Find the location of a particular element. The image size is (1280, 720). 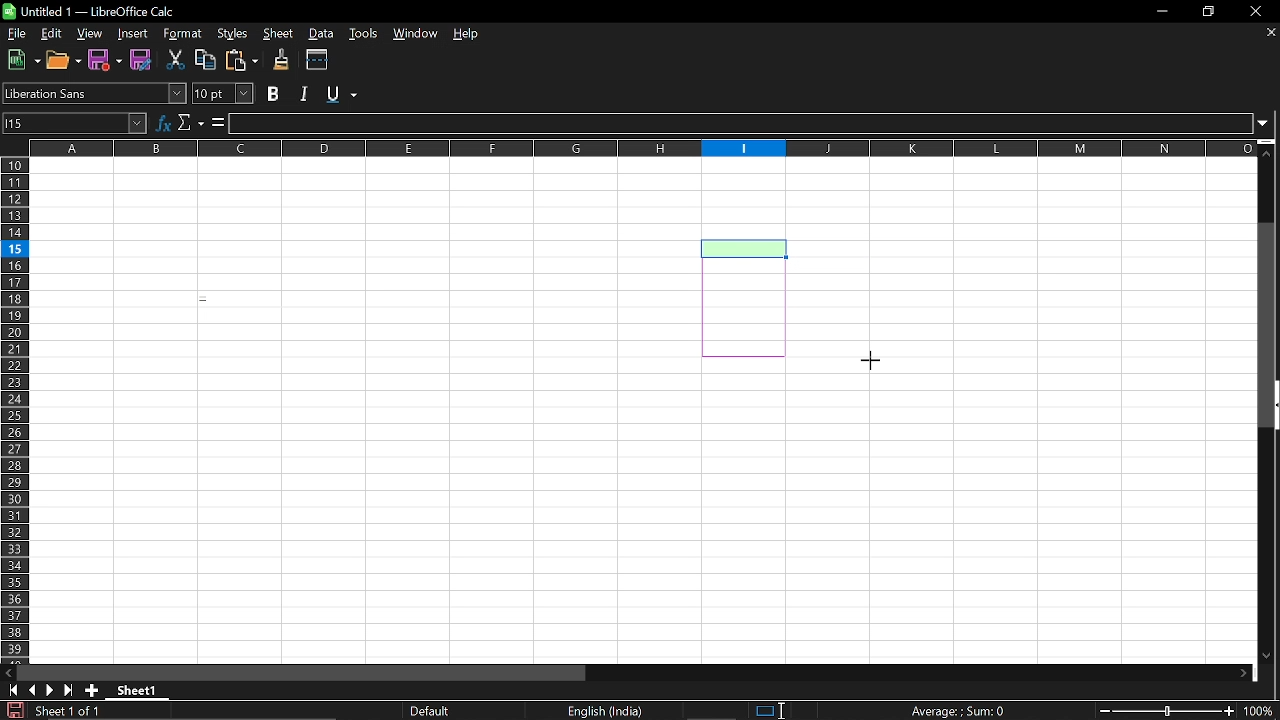

Function wizard is located at coordinates (162, 123).